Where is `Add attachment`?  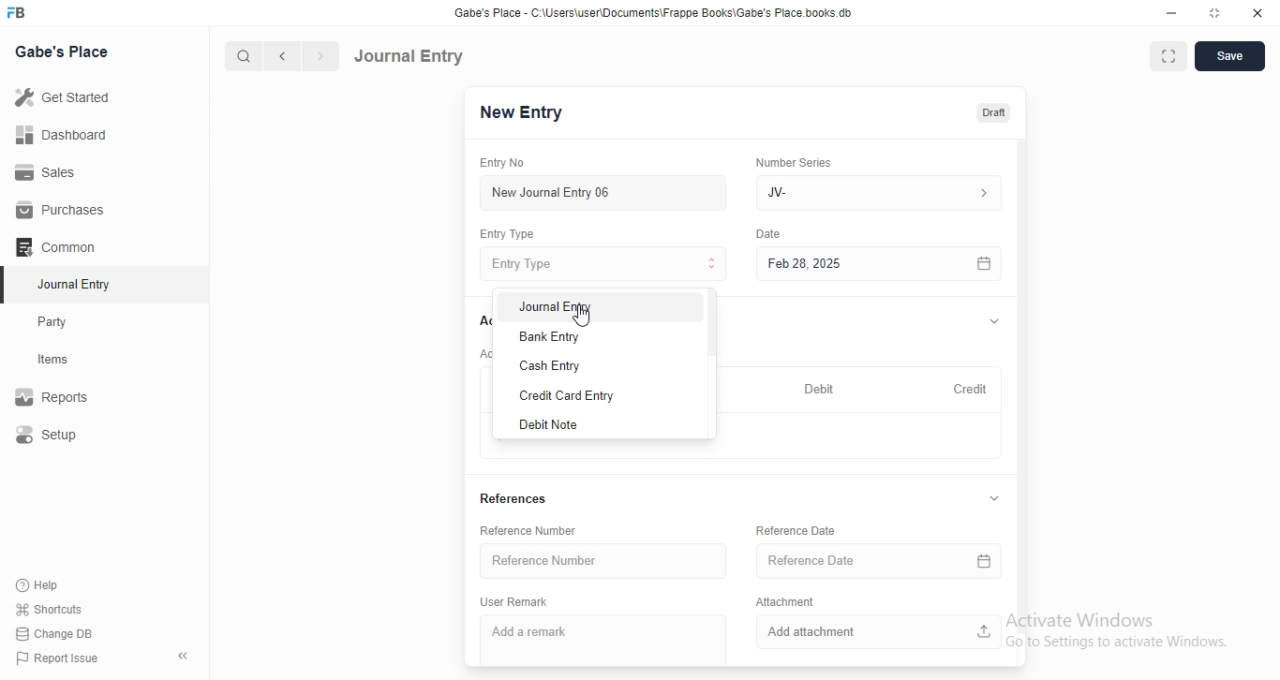
Add attachment is located at coordinates (878, 632).